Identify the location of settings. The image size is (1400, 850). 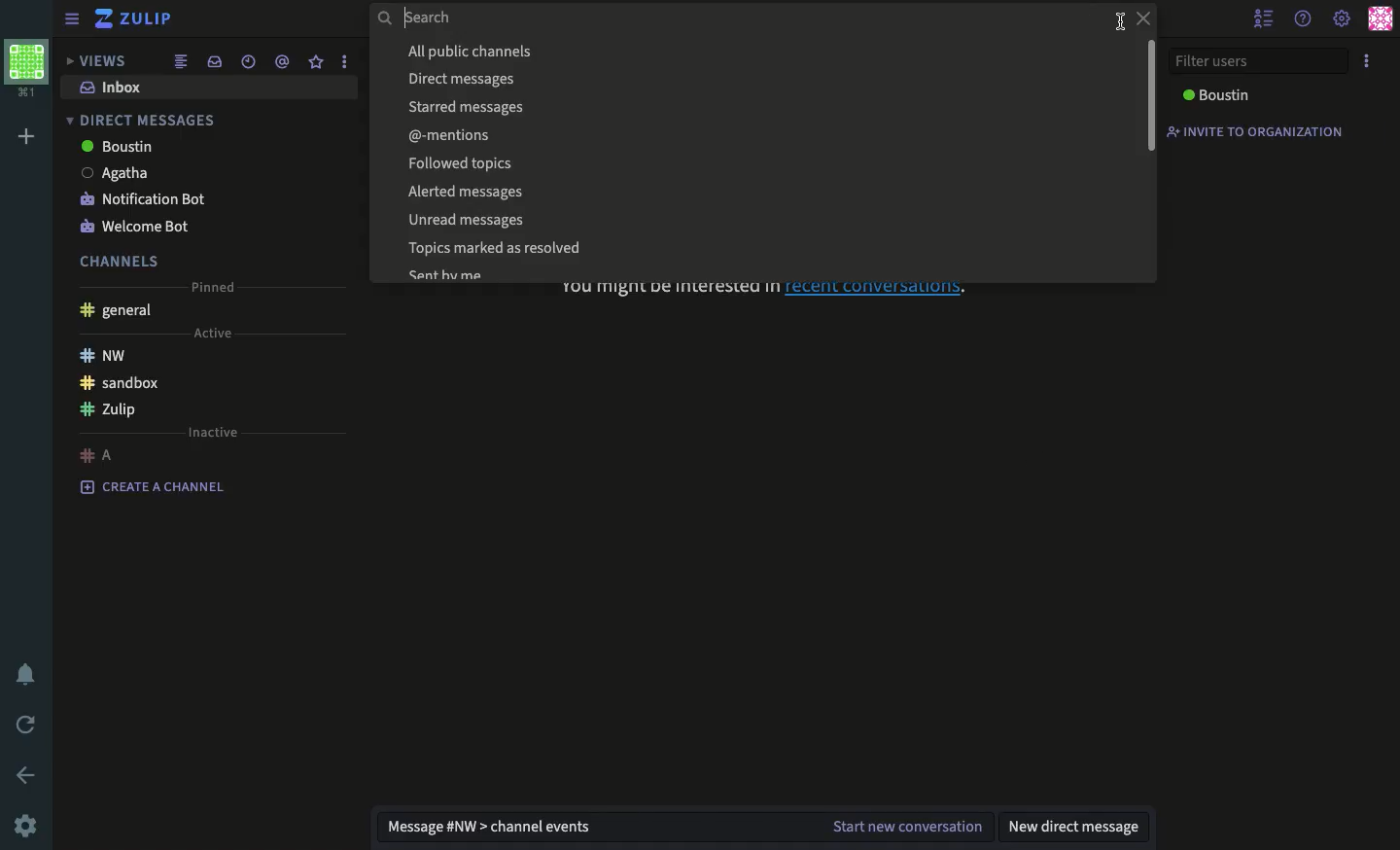
(1343, 18).